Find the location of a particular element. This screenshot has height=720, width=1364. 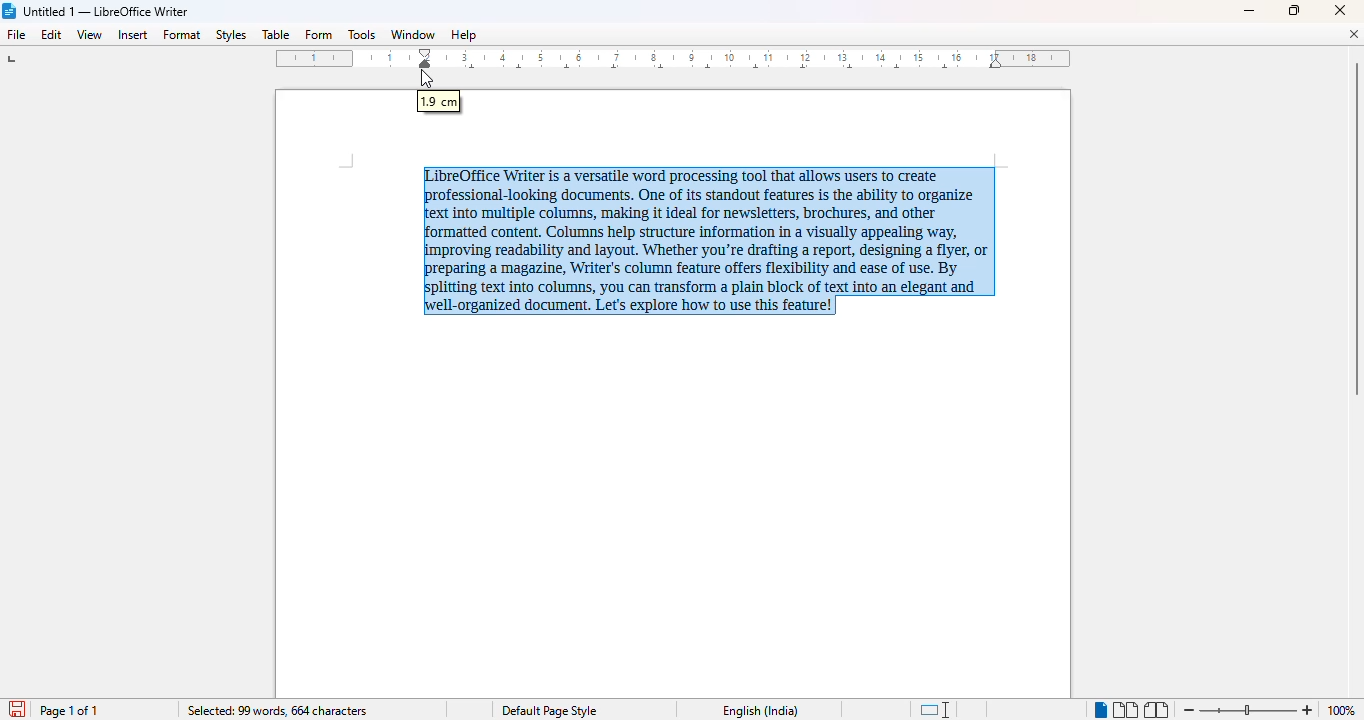

view is located at coordinates (90, 33).